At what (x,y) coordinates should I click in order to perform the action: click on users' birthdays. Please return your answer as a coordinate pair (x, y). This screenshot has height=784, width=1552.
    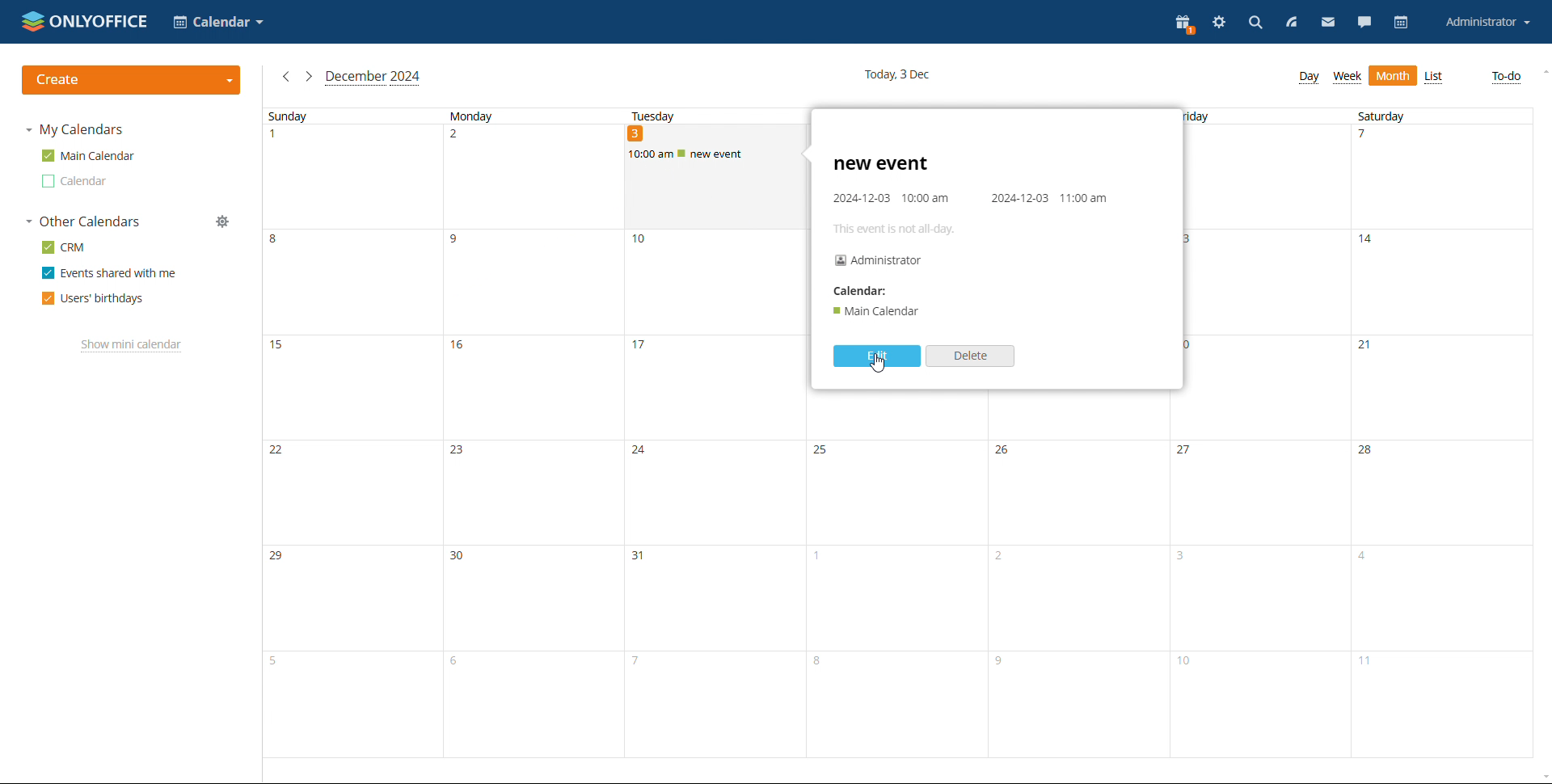
    Looking at the image, I should click on (93, 299).